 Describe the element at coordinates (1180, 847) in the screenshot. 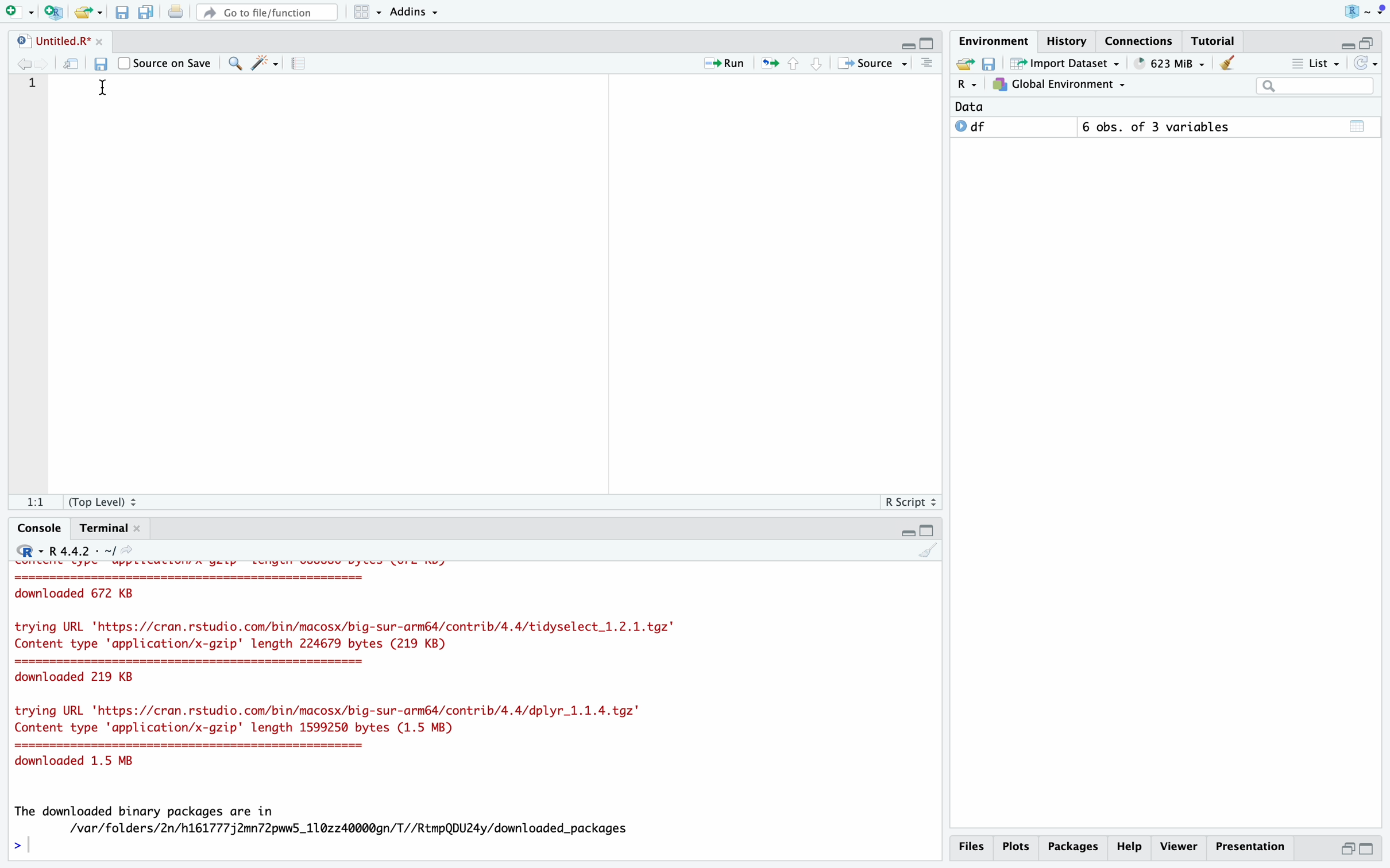

I see `Viewer` at that location.